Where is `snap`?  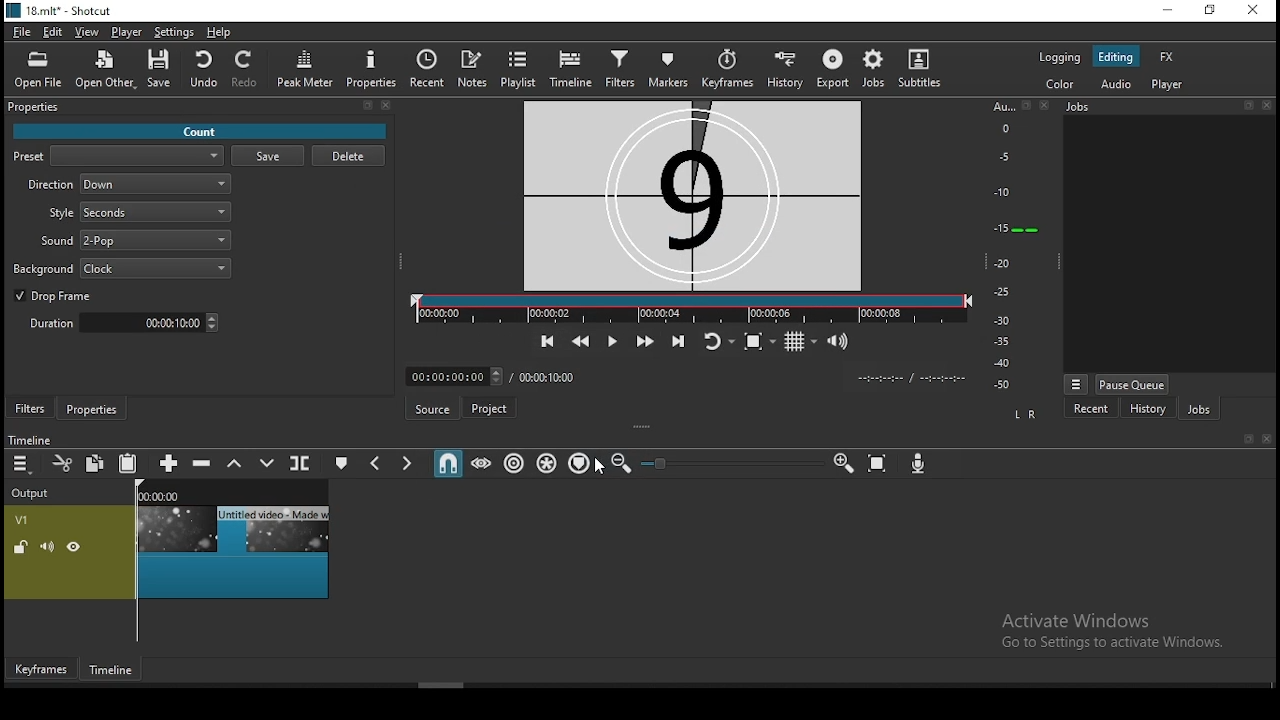
snap is located at coordinates (451, 466).